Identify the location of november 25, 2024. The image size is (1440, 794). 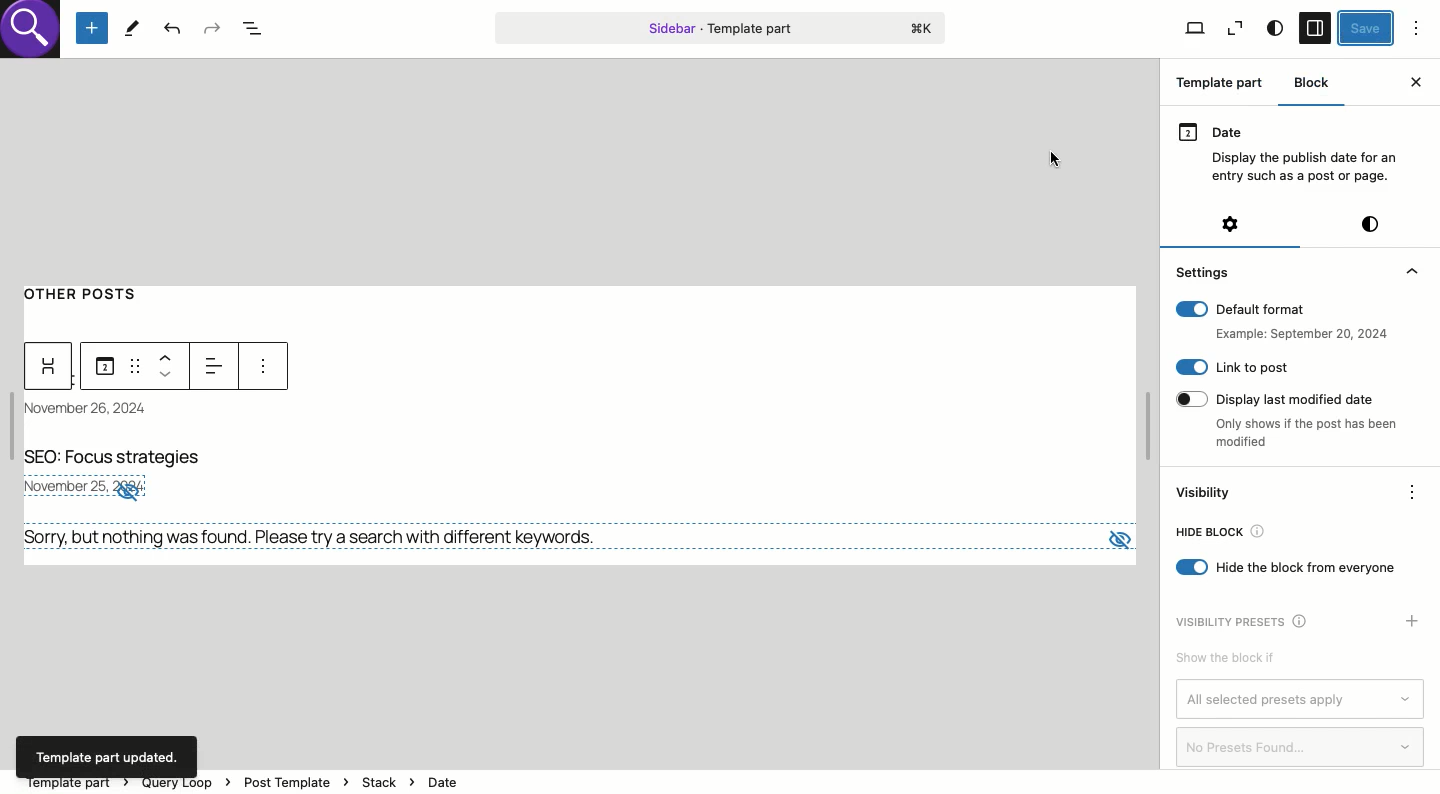
(63, 487).